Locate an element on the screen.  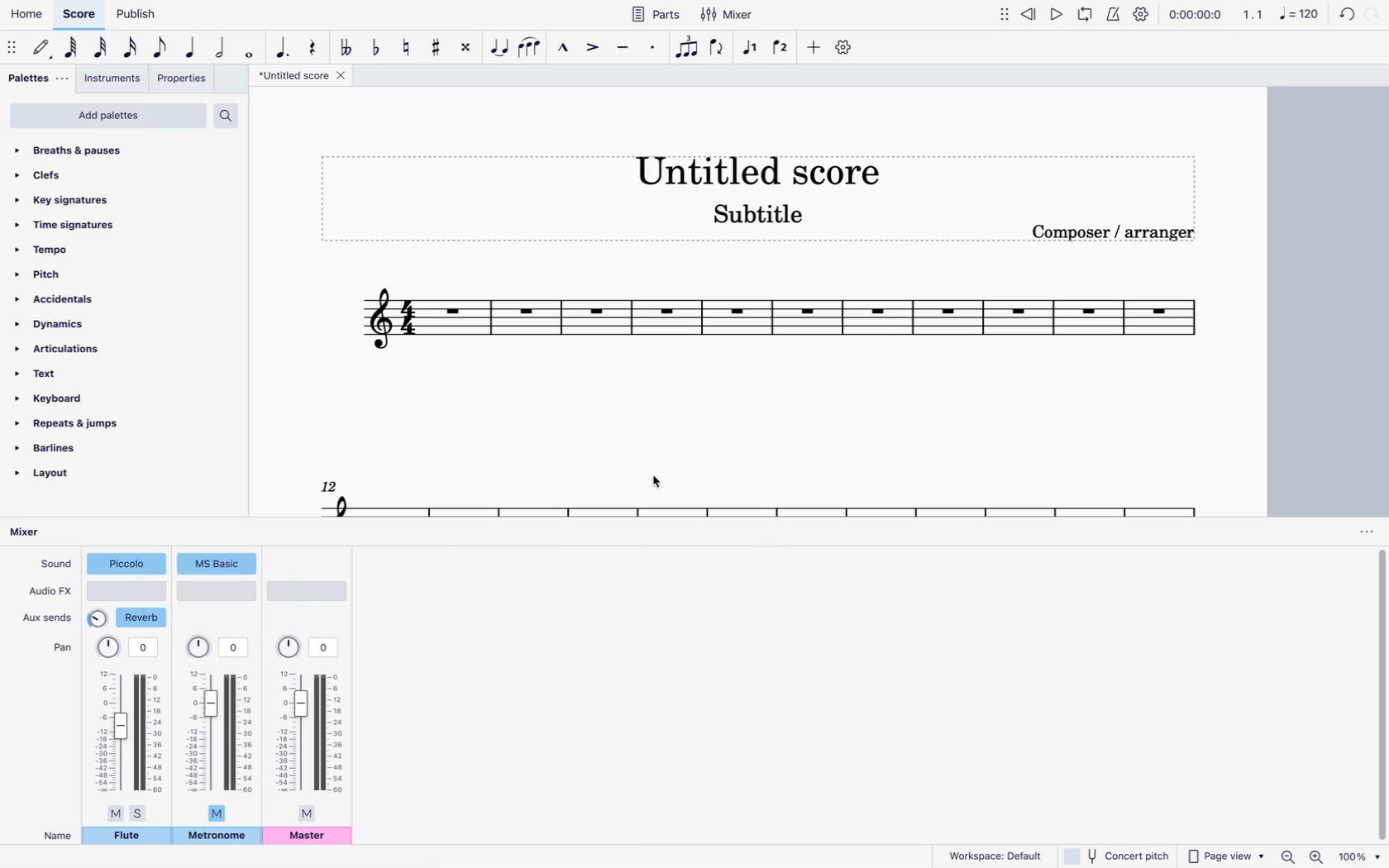
voice 1 is located at coordinates (752, 48).